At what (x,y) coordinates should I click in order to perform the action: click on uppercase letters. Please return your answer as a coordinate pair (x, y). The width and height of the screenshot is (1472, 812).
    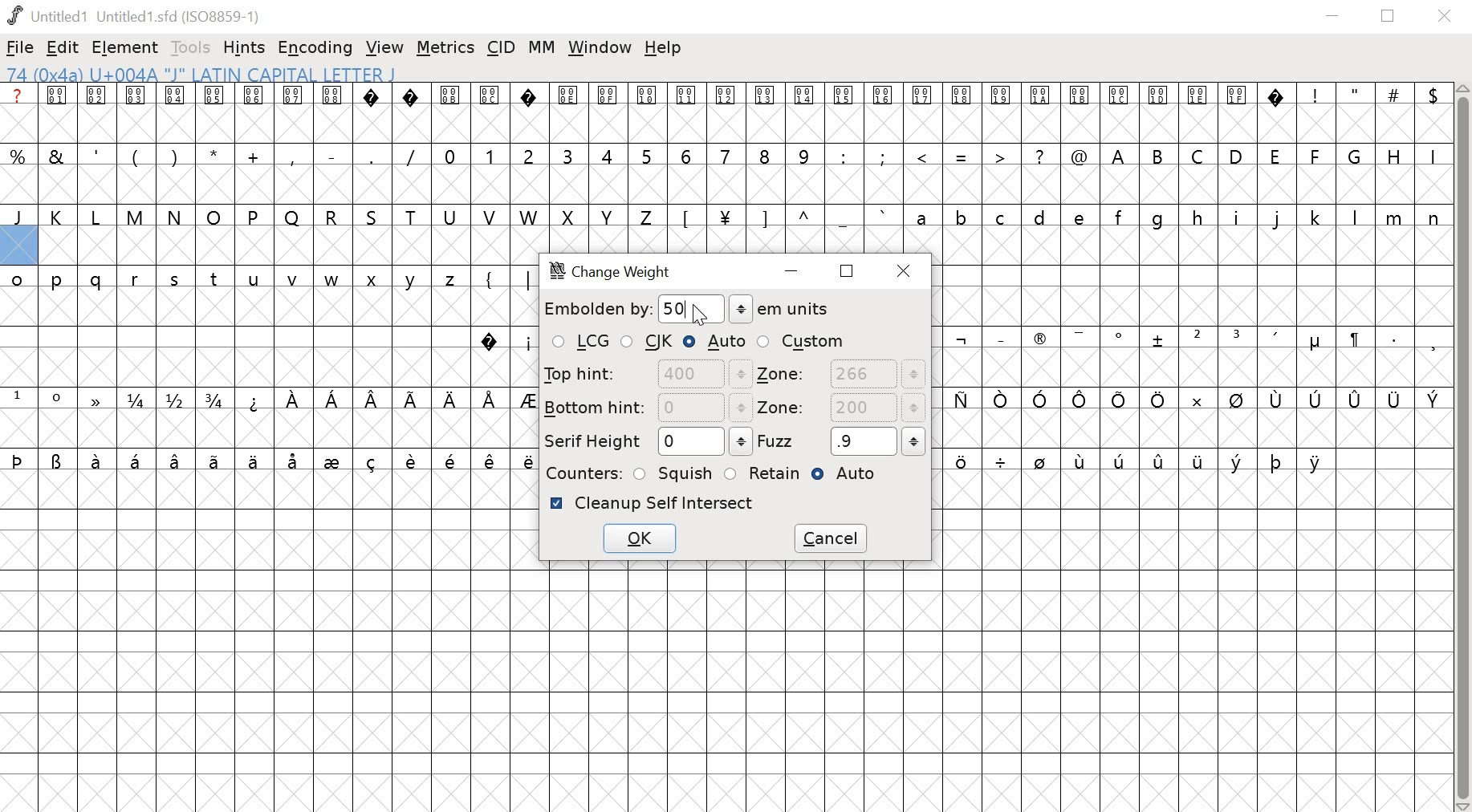
    Looking at the image, I should click on (328, 217).